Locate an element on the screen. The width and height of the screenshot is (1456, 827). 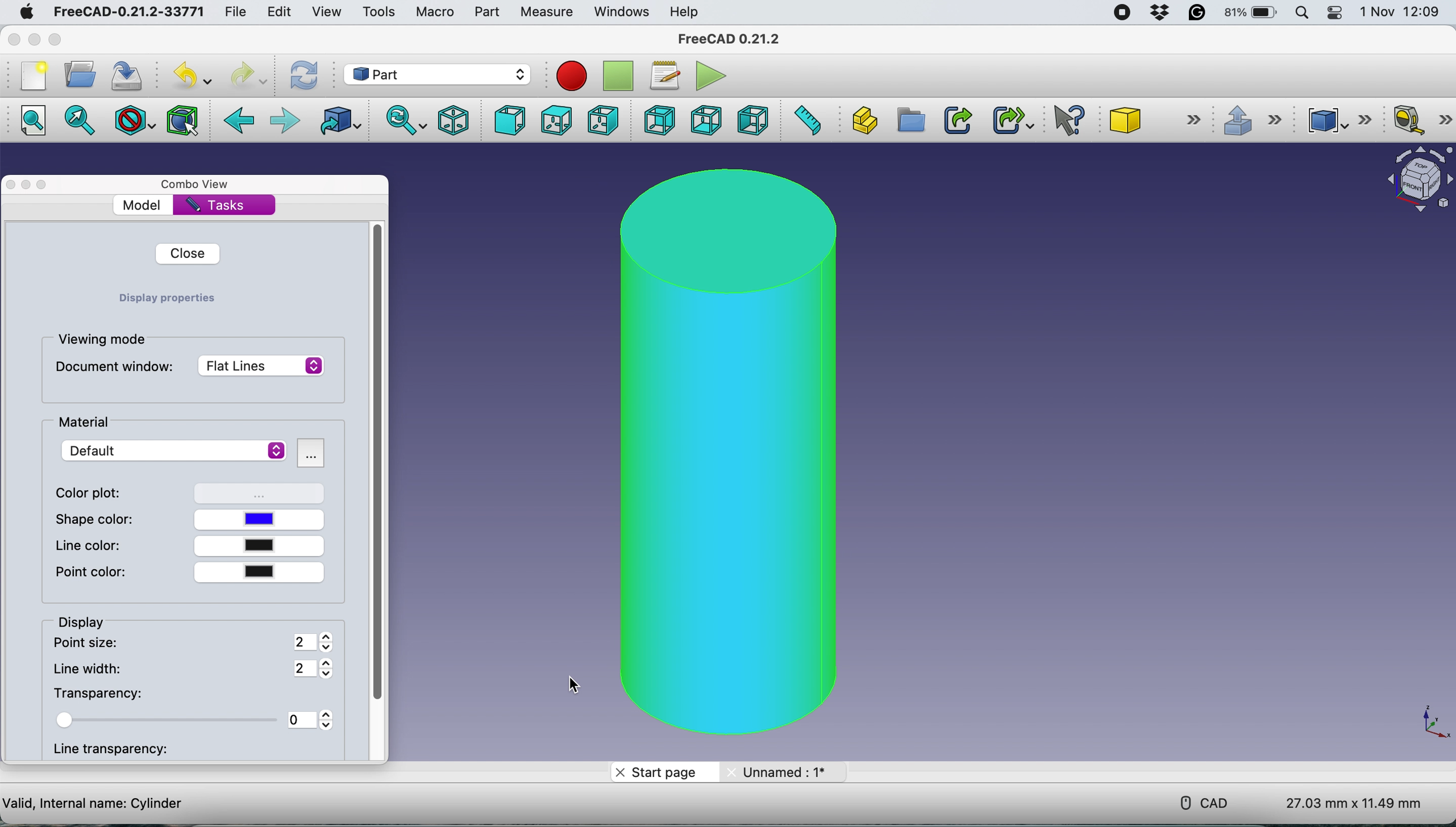
model is located at coordinates (165, 204).